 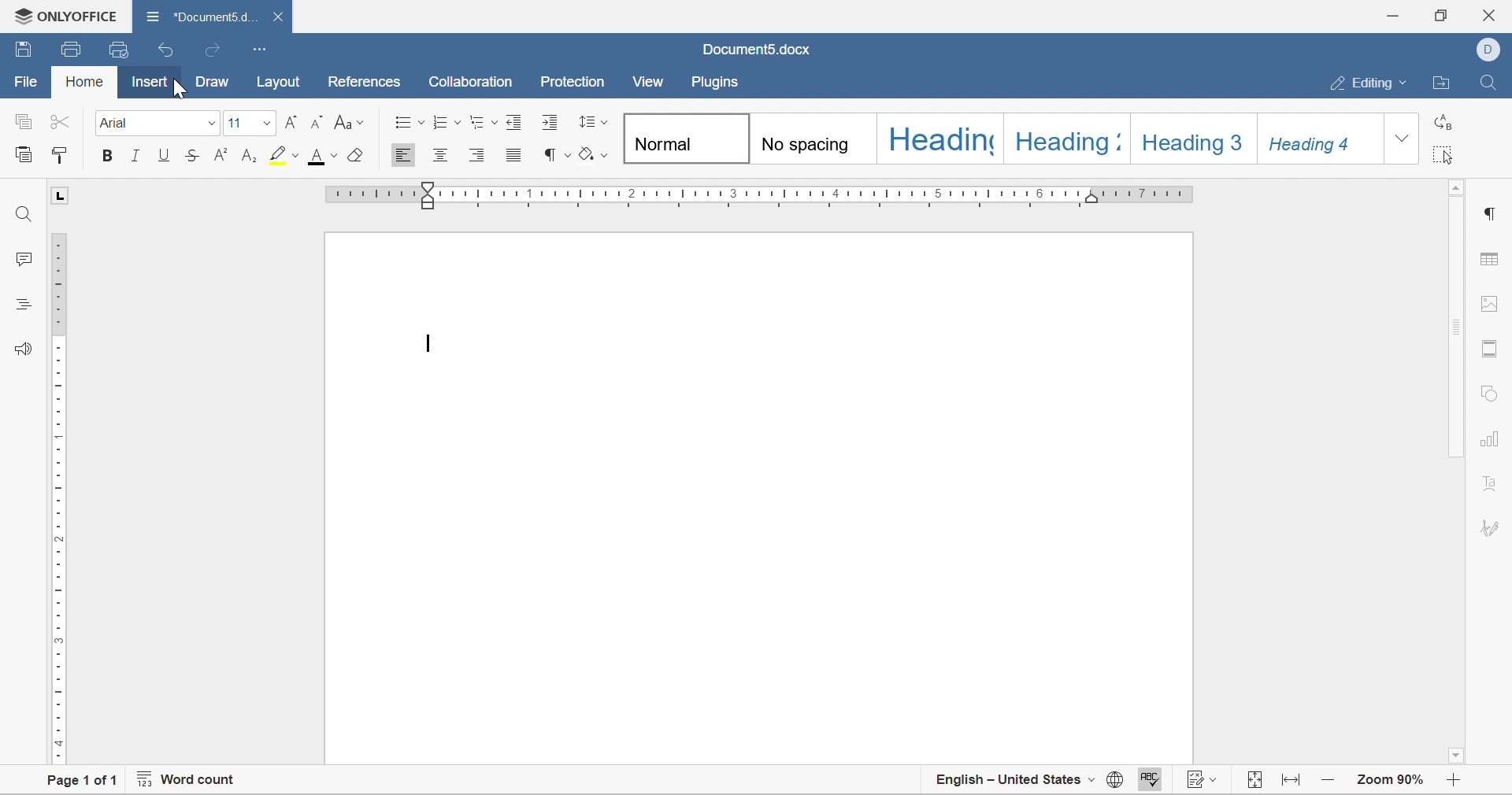 I want to click on text art settings, so click(x=1494, y=483).